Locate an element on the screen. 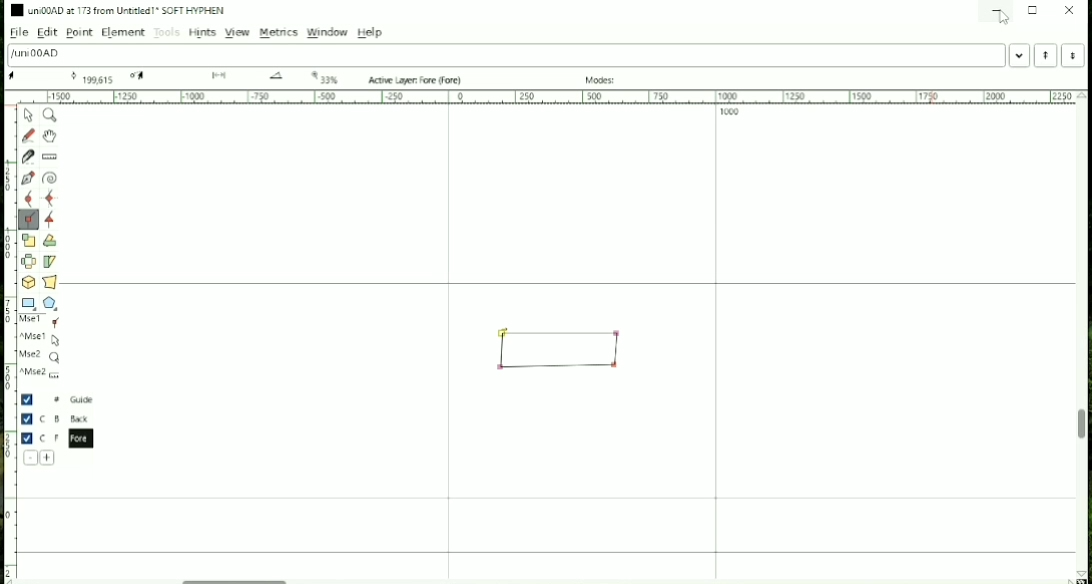 The width and height of the screenshot is (1092, 584). Word list is located at coordinates (1020, 55).